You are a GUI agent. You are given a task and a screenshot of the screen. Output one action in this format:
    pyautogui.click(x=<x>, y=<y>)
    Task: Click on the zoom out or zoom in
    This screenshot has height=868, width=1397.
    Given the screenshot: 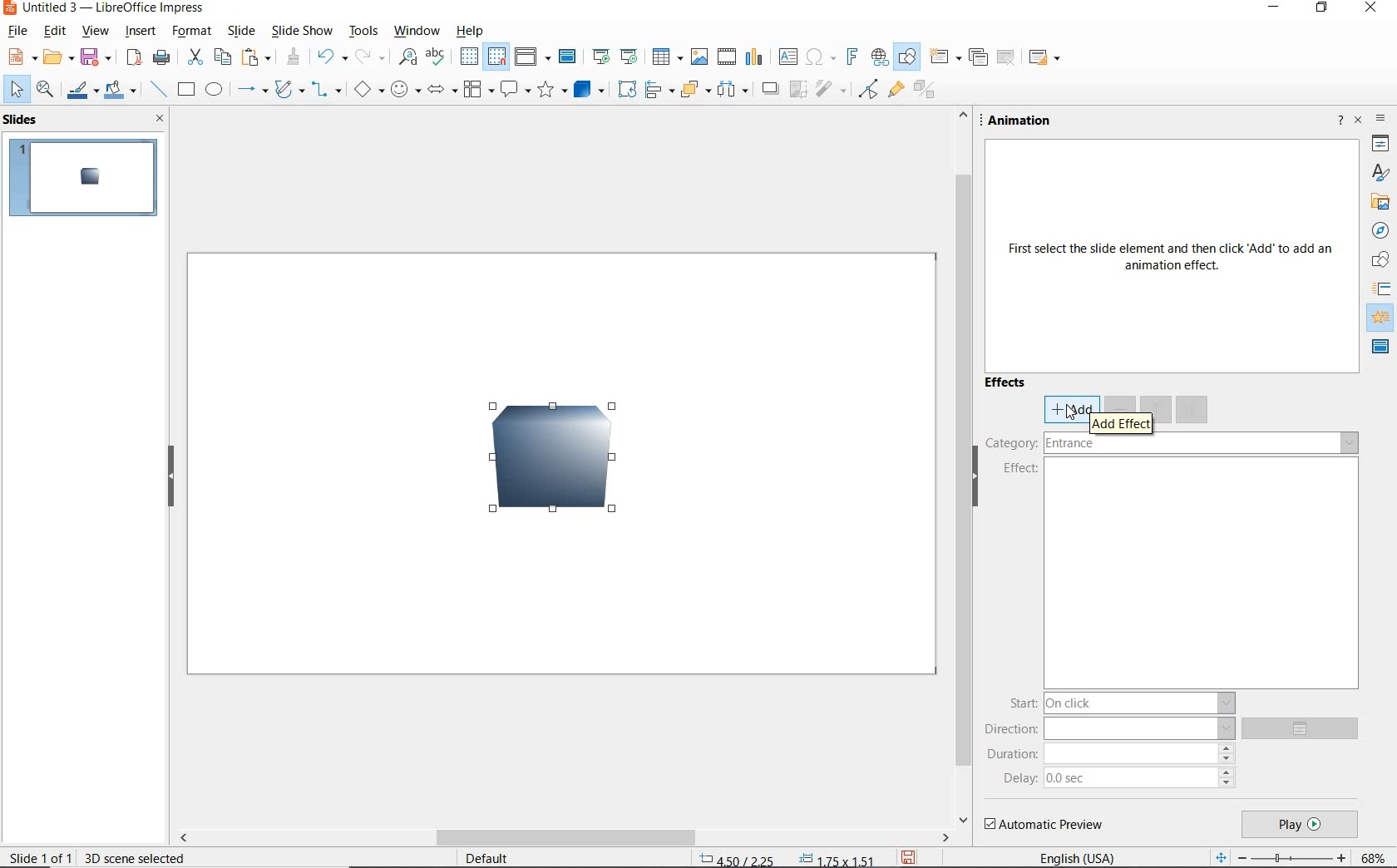 What is the action you would take?
    pyautogui.click(x=1278, y=856)
    